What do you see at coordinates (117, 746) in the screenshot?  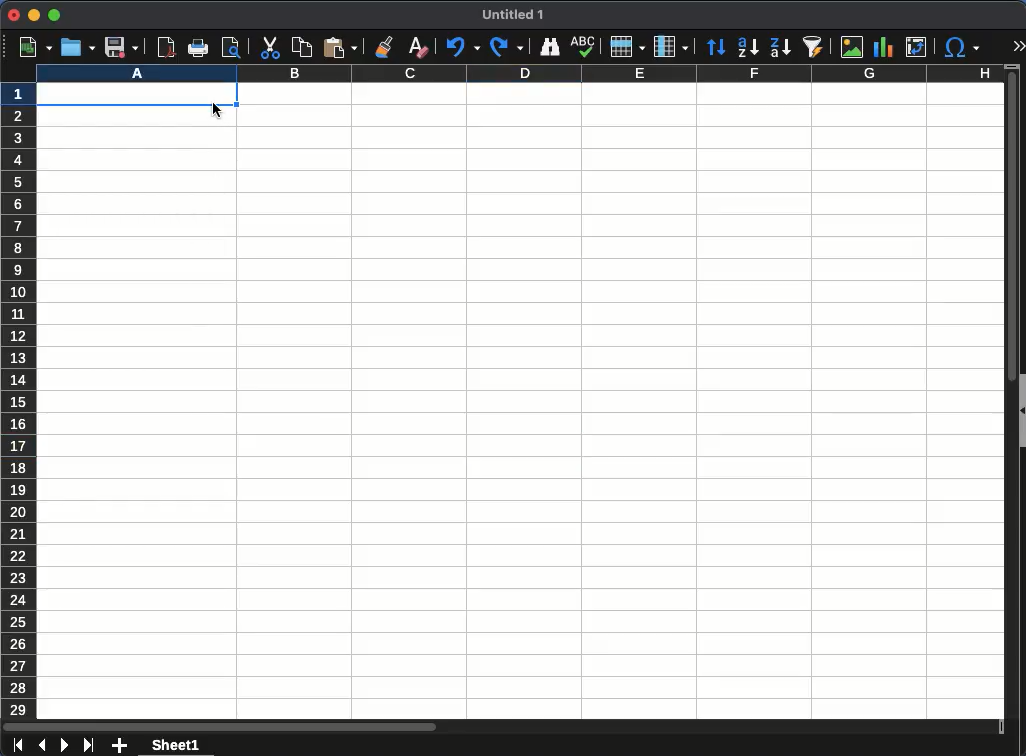 I see `add sheet` at bounding box center [117, 746].